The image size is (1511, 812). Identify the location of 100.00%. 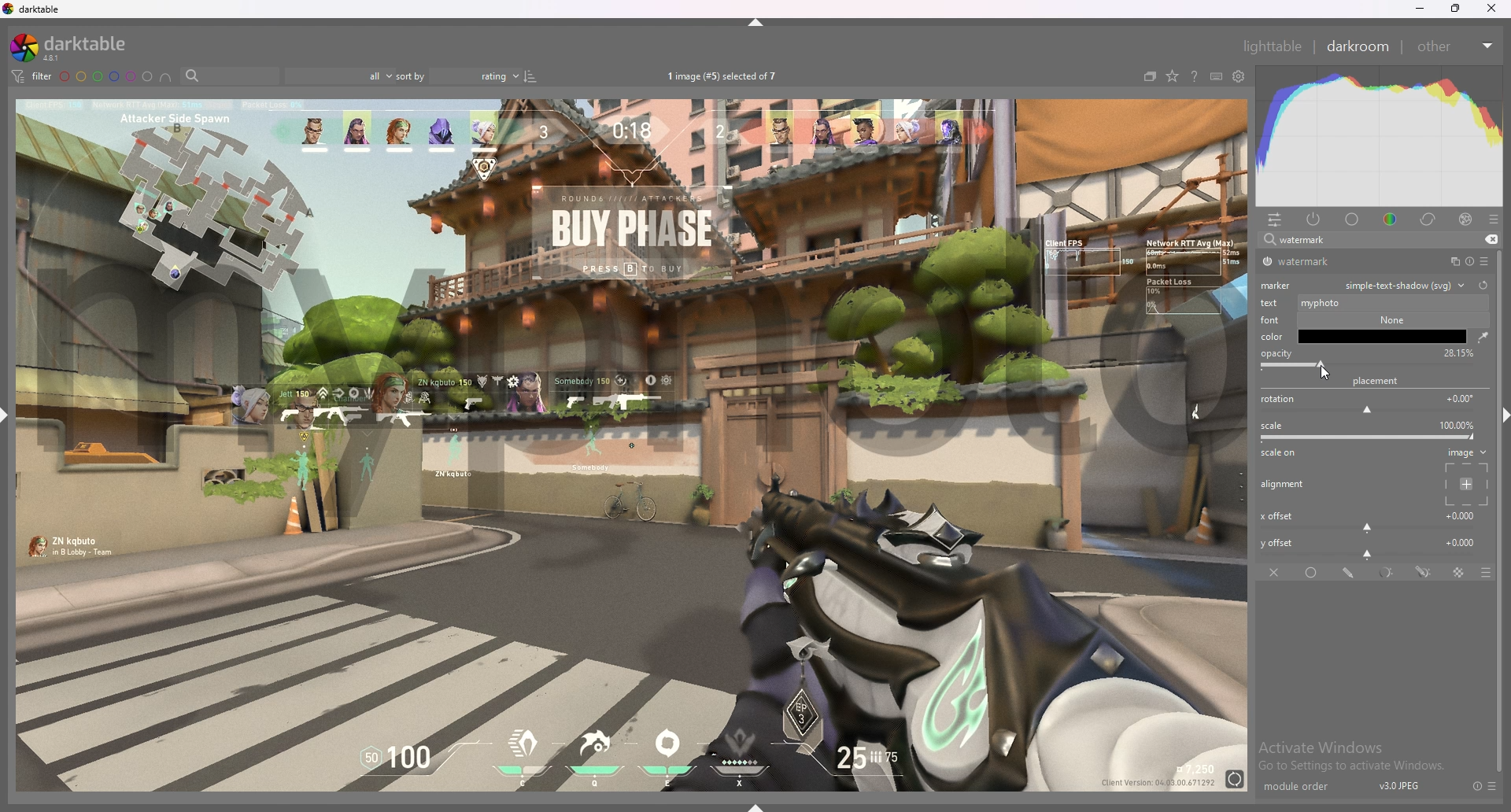
(1452, 352).